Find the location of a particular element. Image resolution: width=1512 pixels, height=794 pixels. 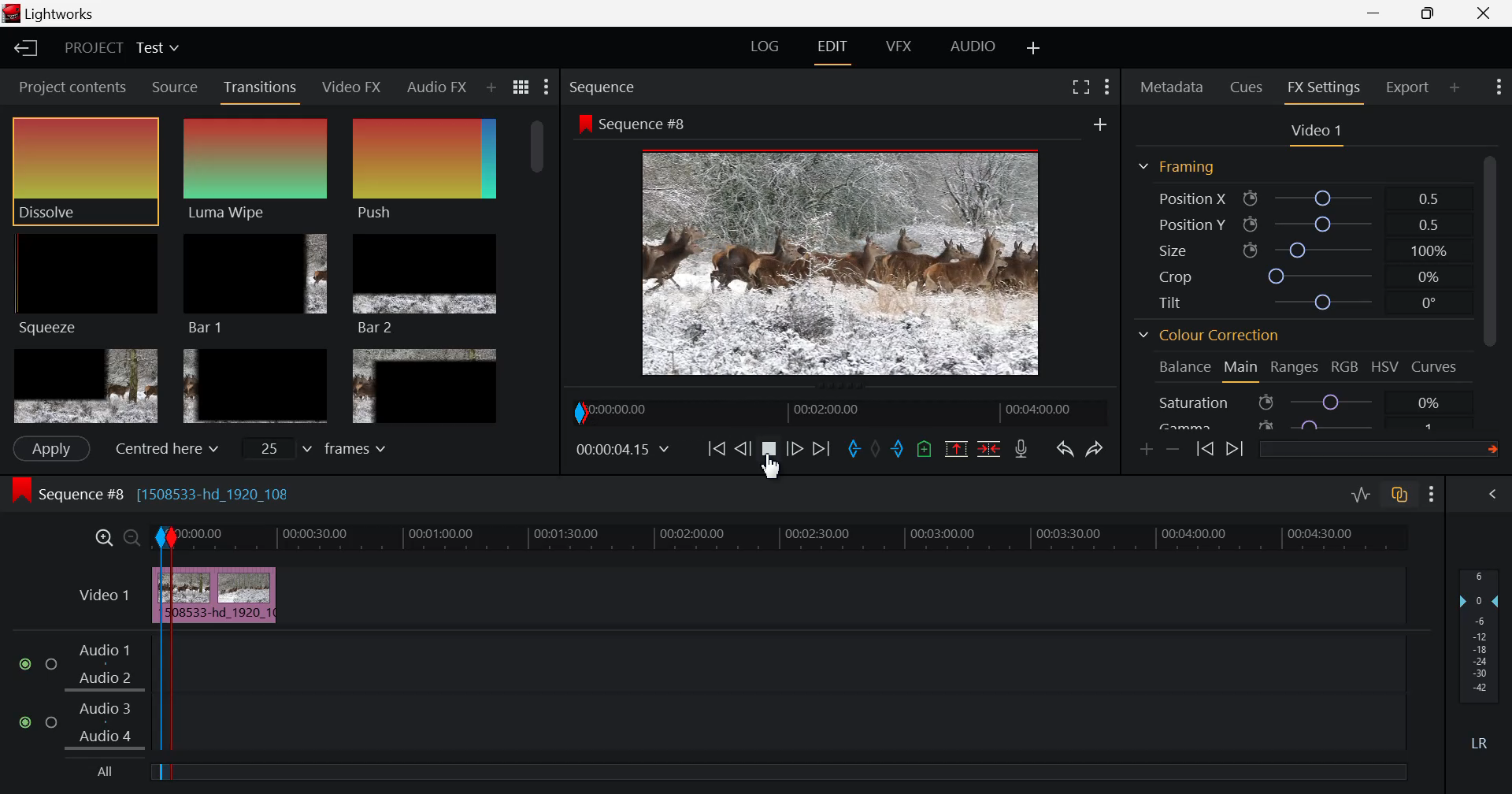

Timeline Zoom In is located at coordinates (105, 538).